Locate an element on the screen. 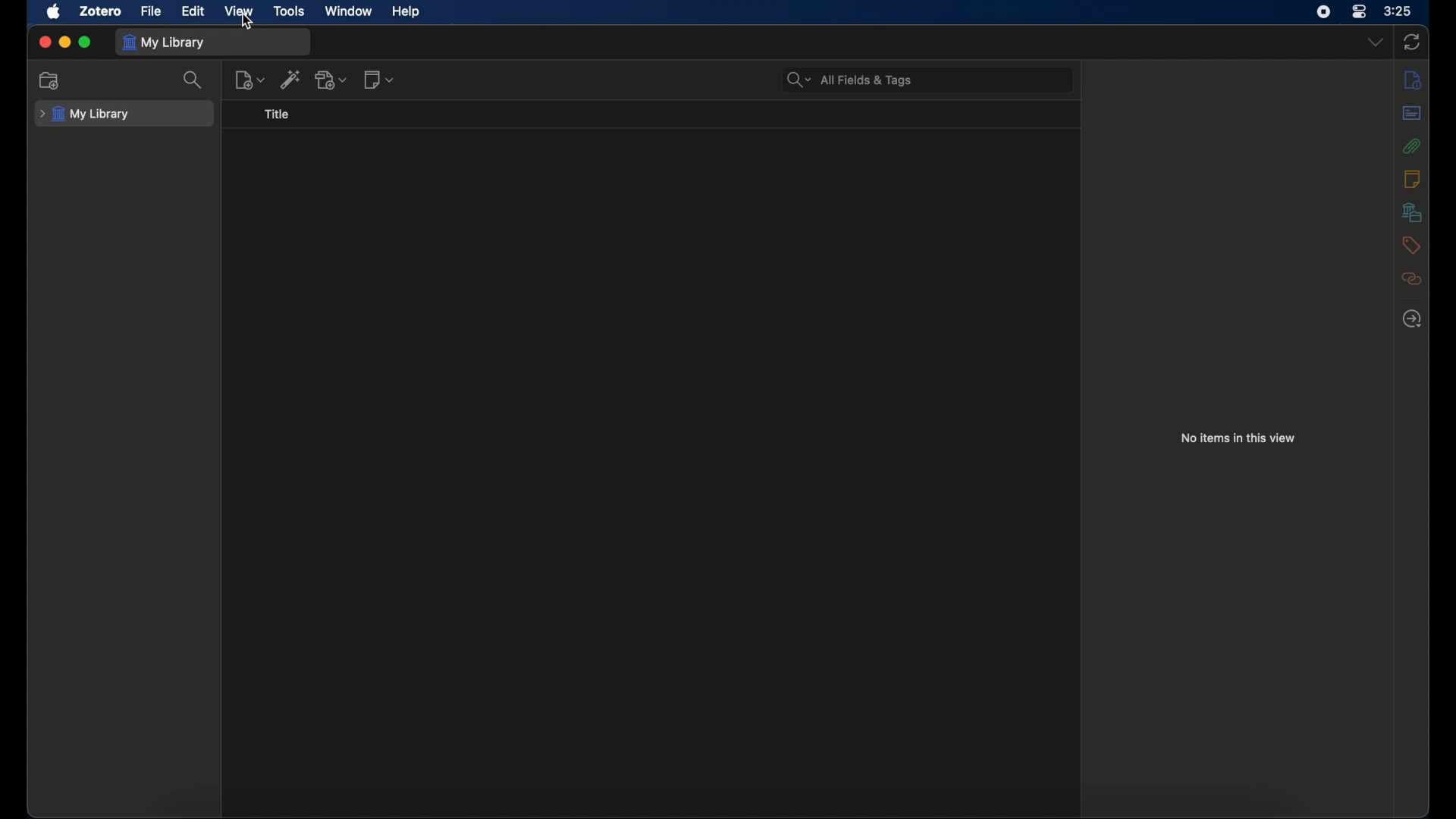 The width and height of the screenshot is (1456, 819). all fields & tags is located at coordinates (850, 78).